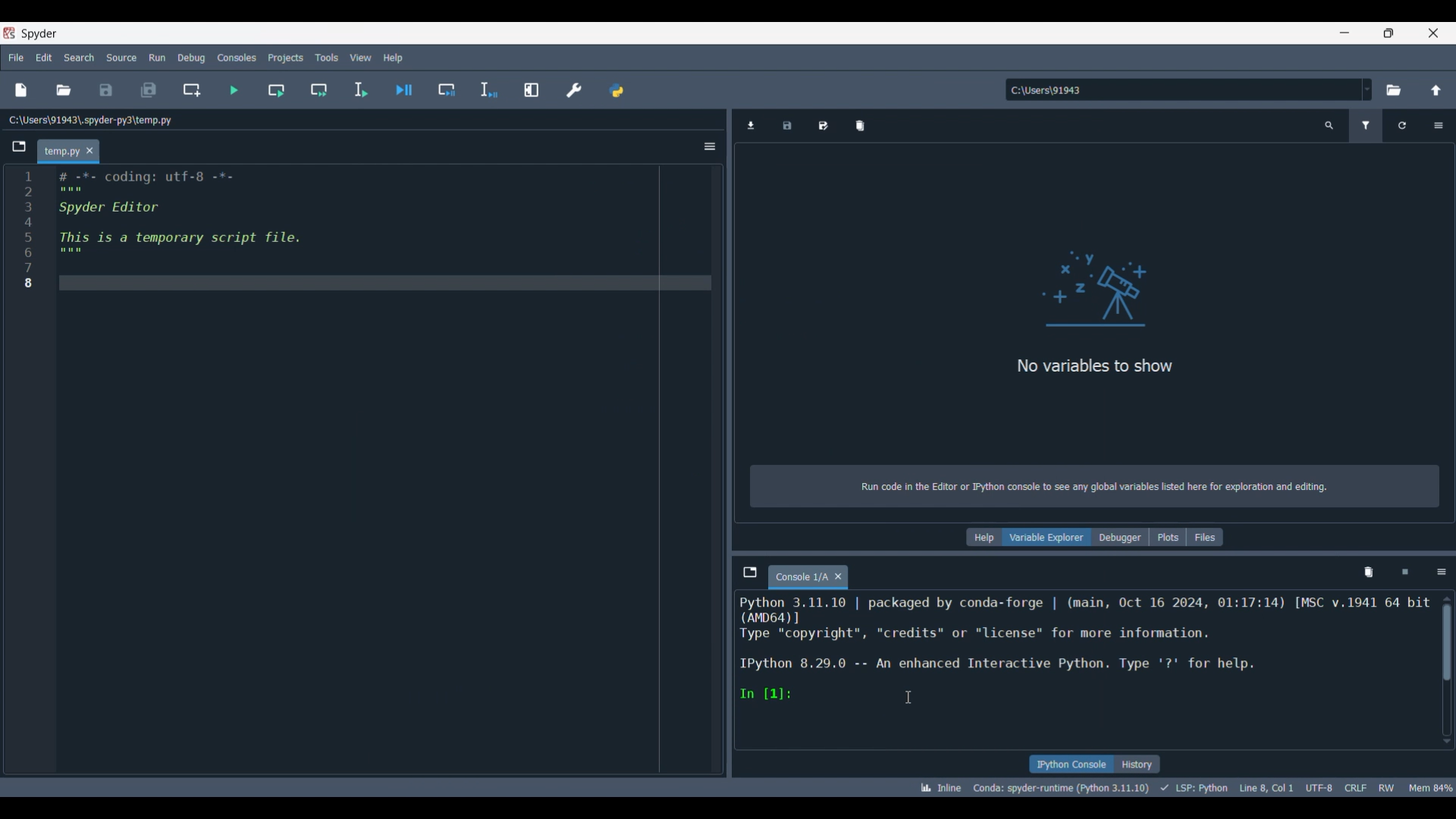  What do you see at coordinates (45, 58) in the screenshot?
I see `Edit menu` at bounding box center [45, 58].